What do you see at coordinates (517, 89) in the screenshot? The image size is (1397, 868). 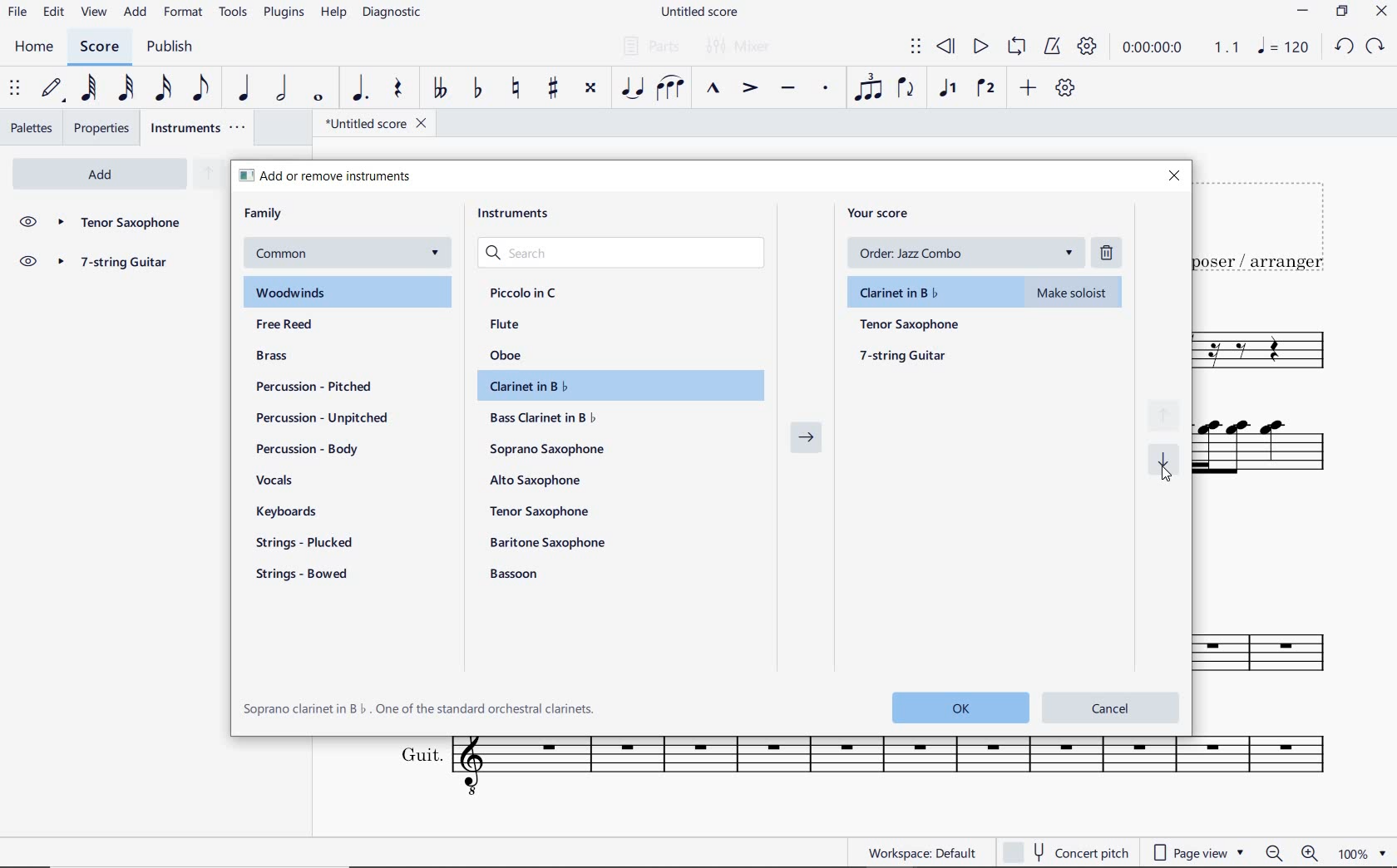 I see `TOGGLE NATURAL` at bounding box center [517, 89].